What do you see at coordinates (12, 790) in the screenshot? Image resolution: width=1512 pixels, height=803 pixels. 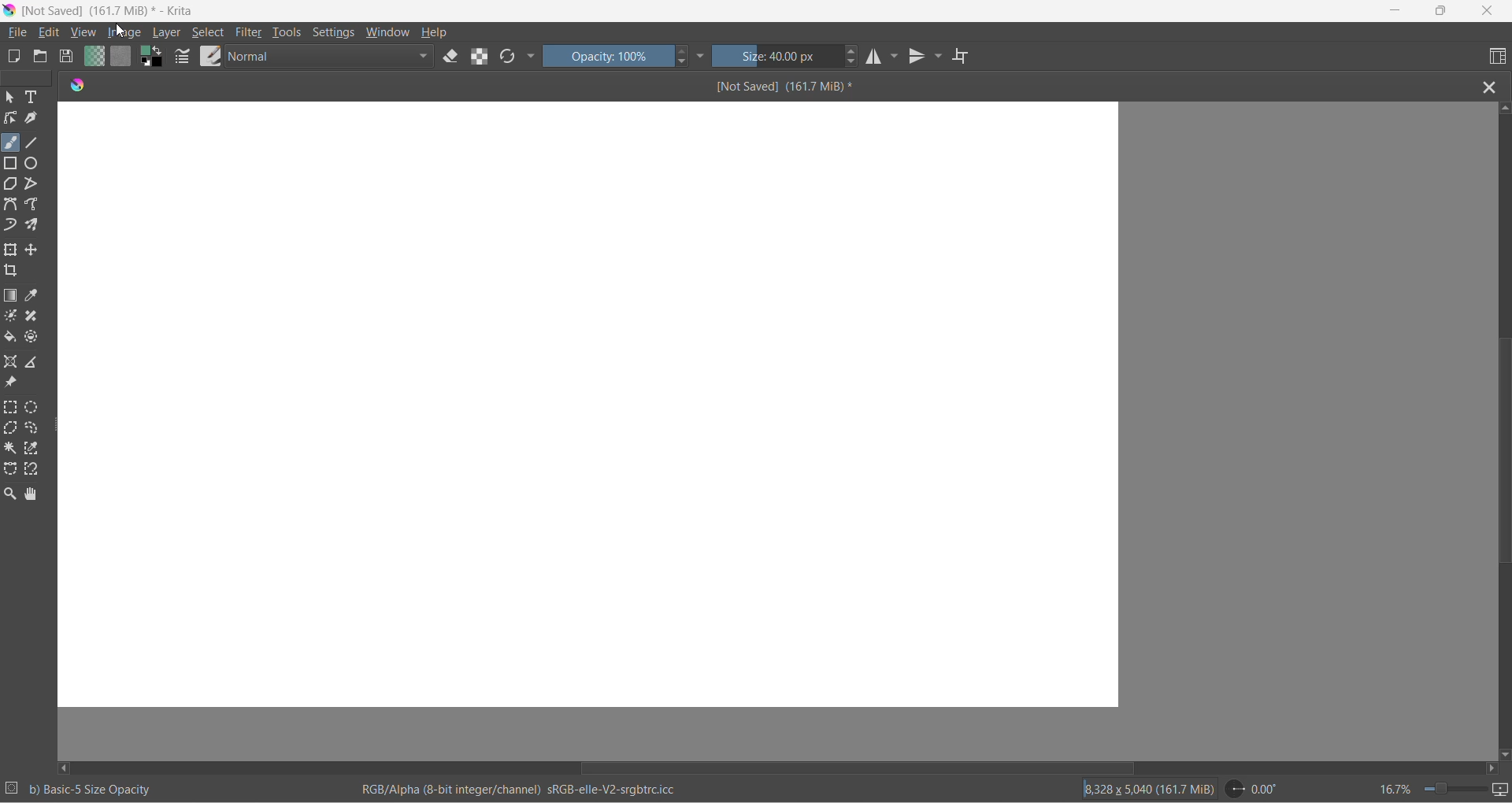 I see `number of selections` at bounding box center [12, 790].